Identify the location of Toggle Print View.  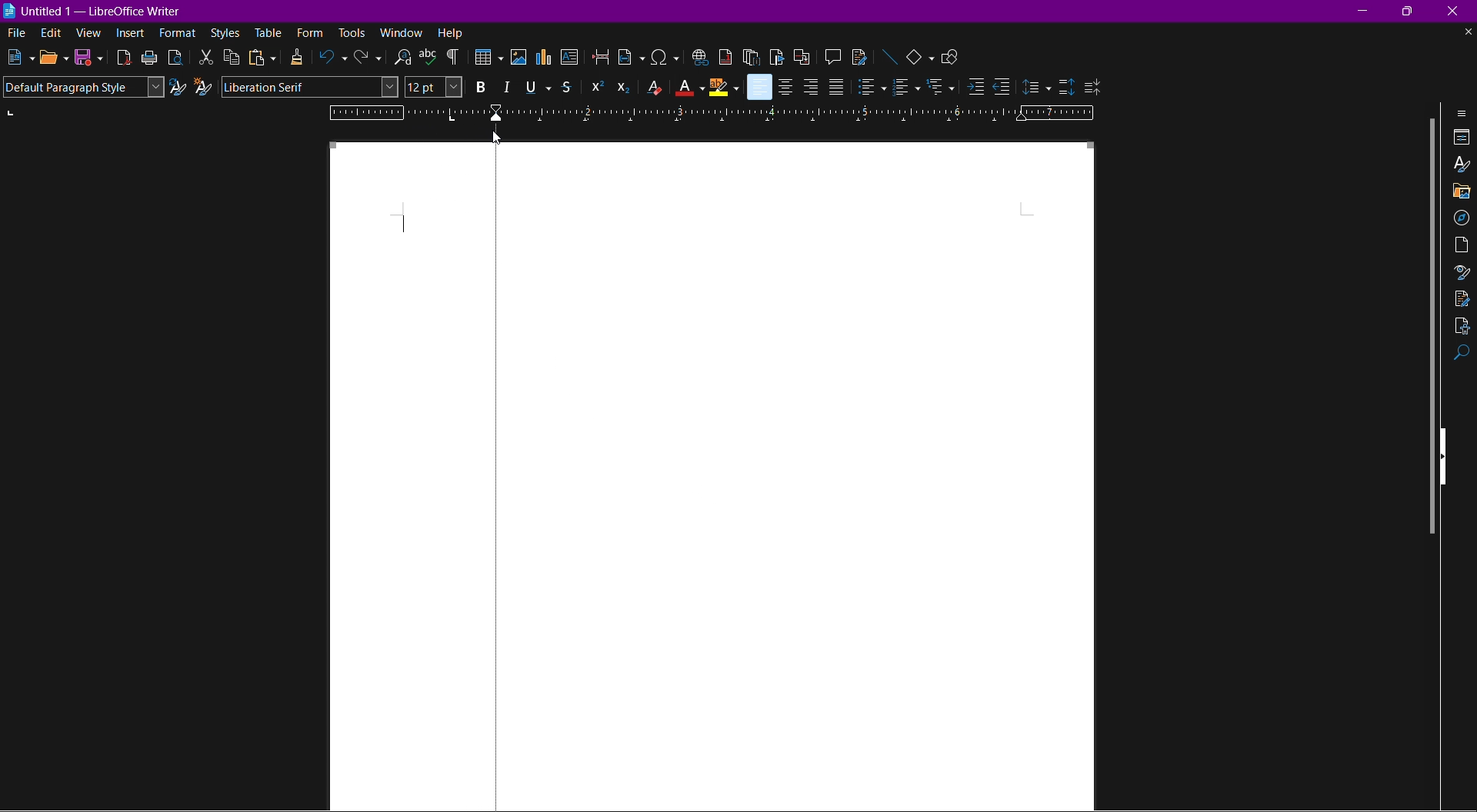
(174, 57).